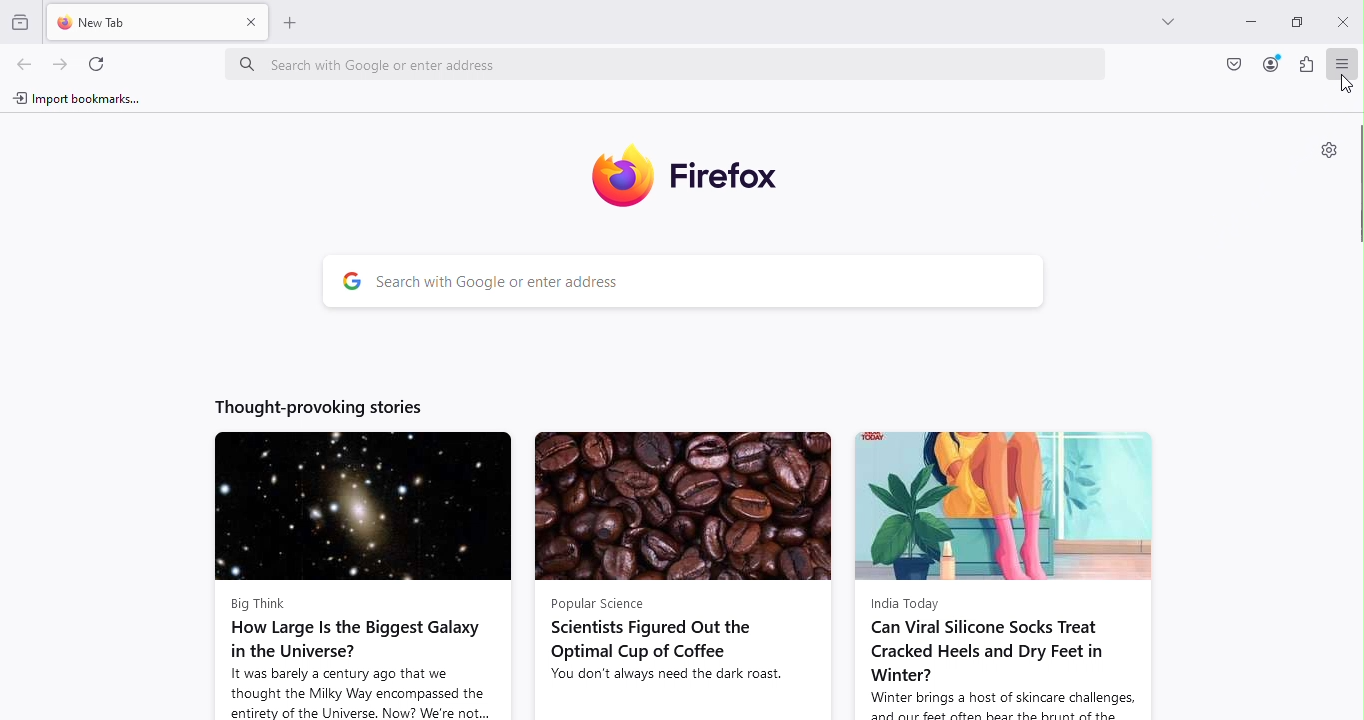 The height and width of the screenshot is (720, 1364). I want to click on Open application menu, so click(1346, 64).